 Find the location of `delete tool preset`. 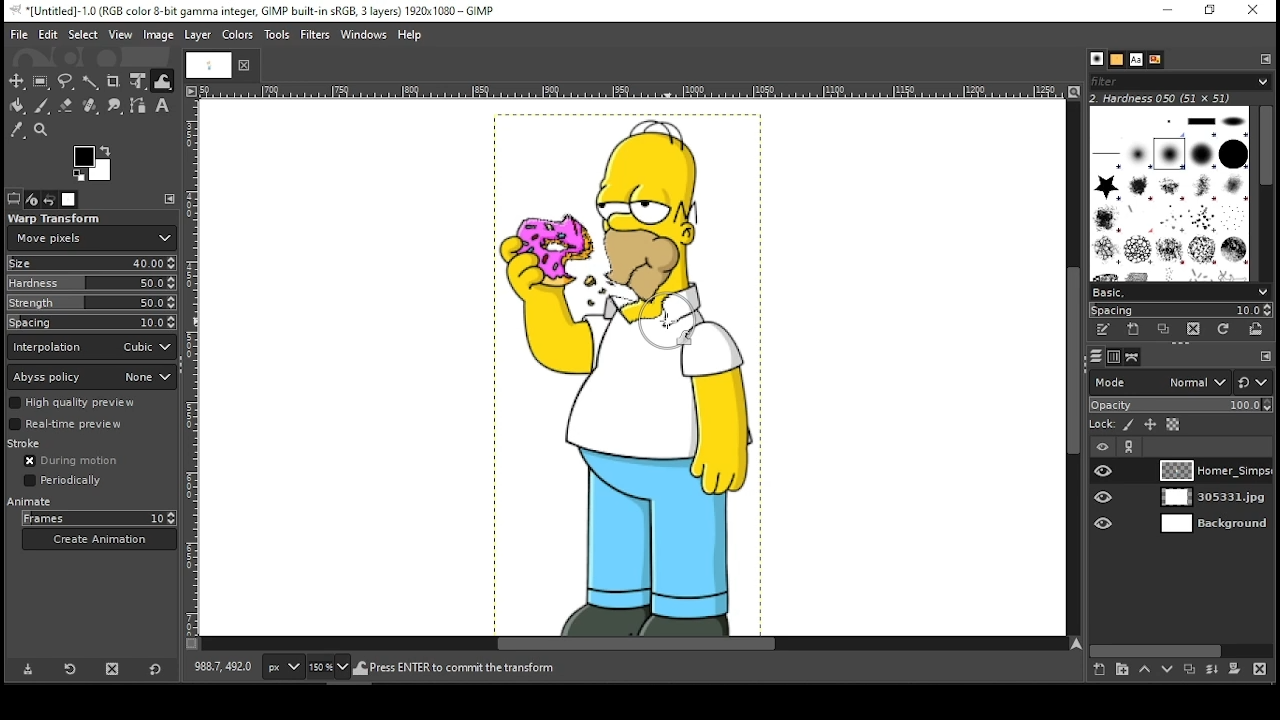

delete tool preset is located at coordinates (111, 670).